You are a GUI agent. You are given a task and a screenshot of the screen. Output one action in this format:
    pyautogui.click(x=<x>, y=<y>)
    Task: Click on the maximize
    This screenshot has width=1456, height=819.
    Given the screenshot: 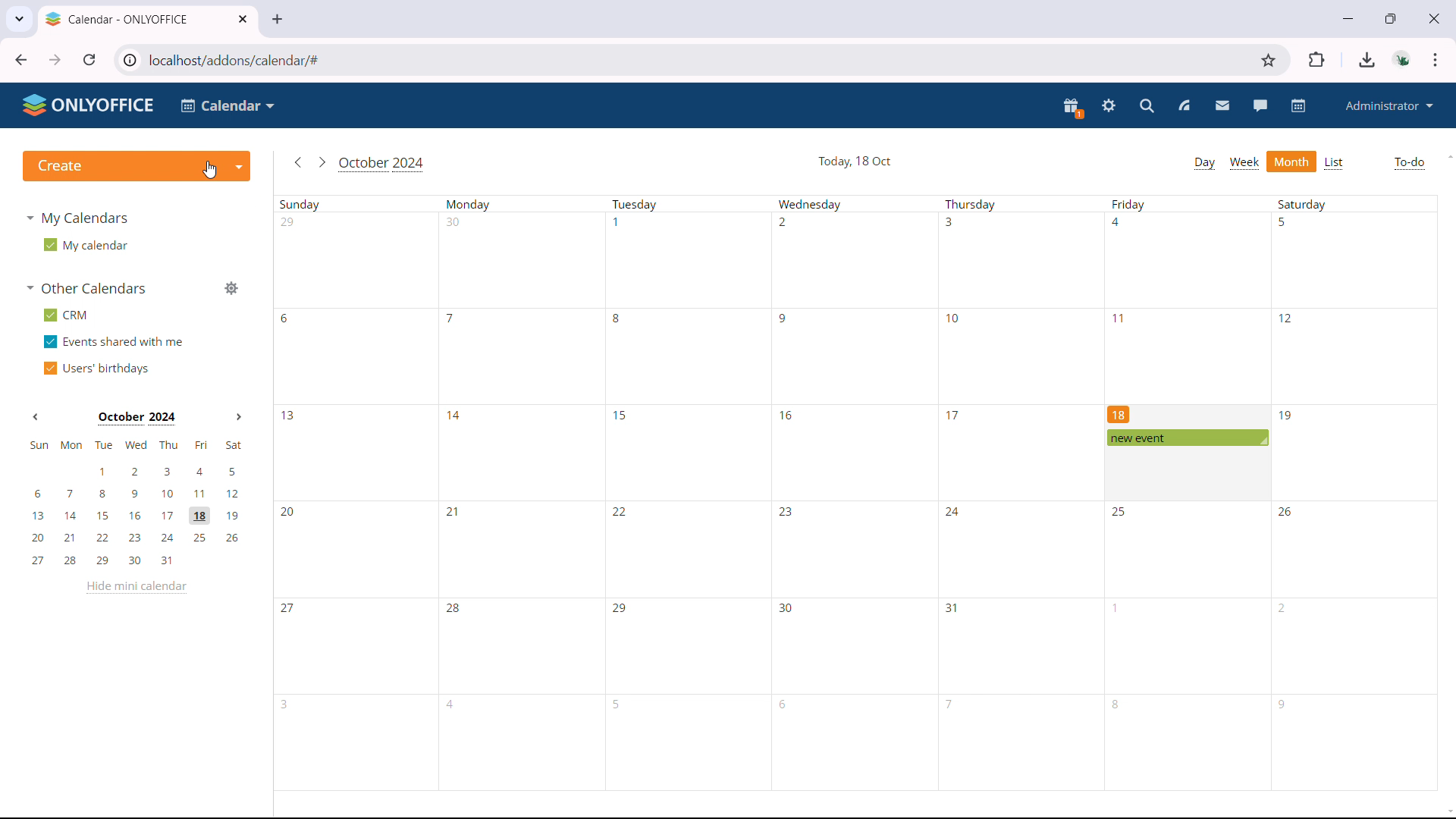 What is the action you would take?
    pyautogui.click(x=1391, y=17)
    